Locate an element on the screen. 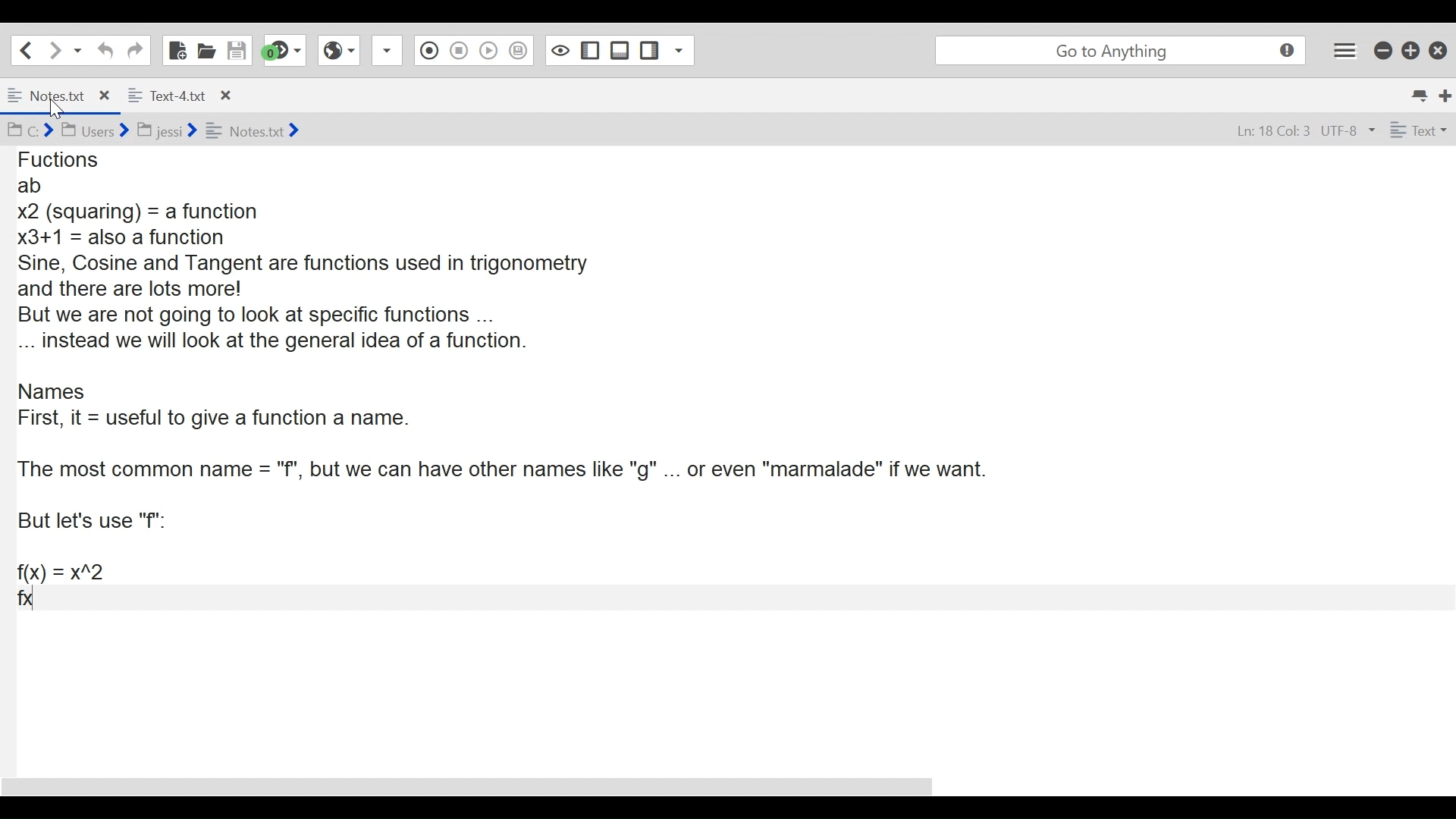 Image resolution: width=1456 pixels, height=819 pixels. Toggle focus mode is located at coordinates (558, 50).